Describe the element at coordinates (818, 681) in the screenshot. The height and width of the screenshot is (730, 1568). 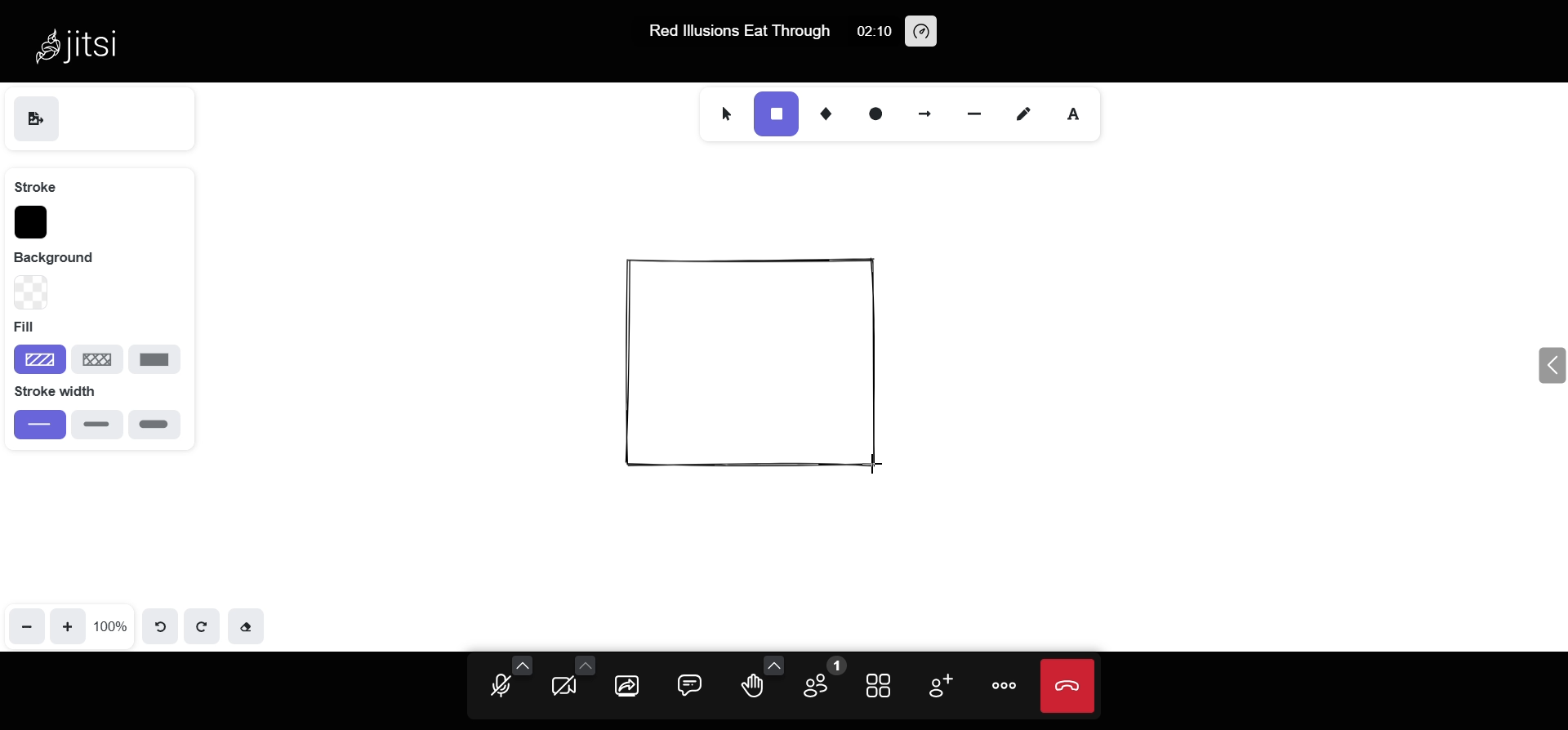
I see `participants` at that location.